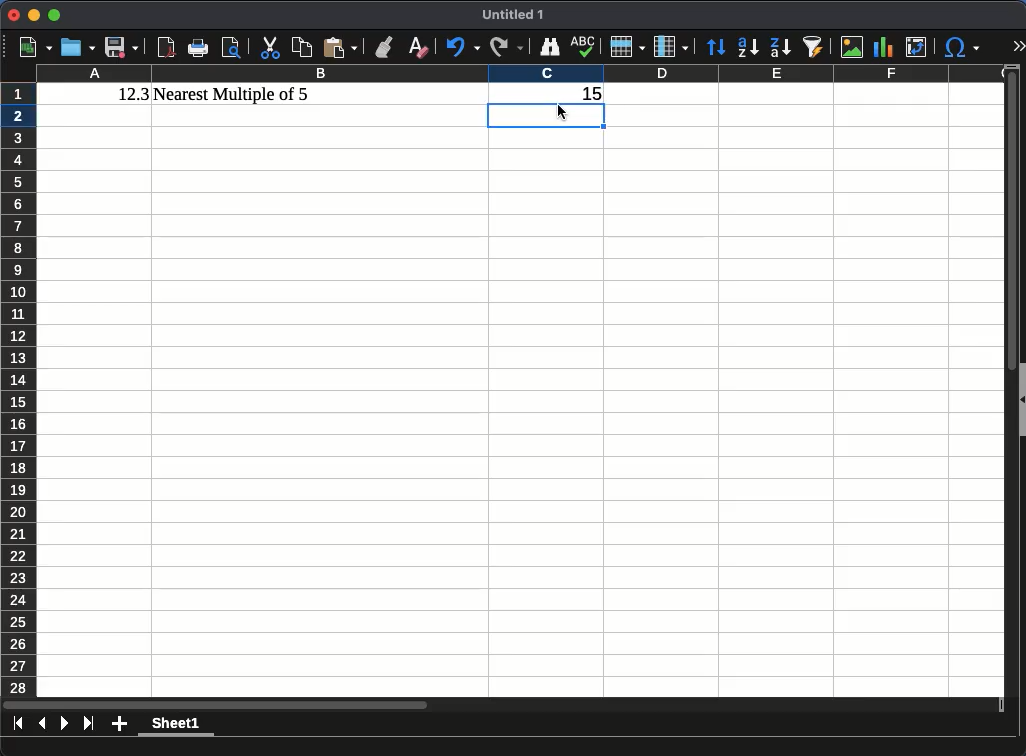 This screenshot has width=1026, height=756. Describe the element at coordinates (33, 14) in the screenshot. I see `minimize` at that location.